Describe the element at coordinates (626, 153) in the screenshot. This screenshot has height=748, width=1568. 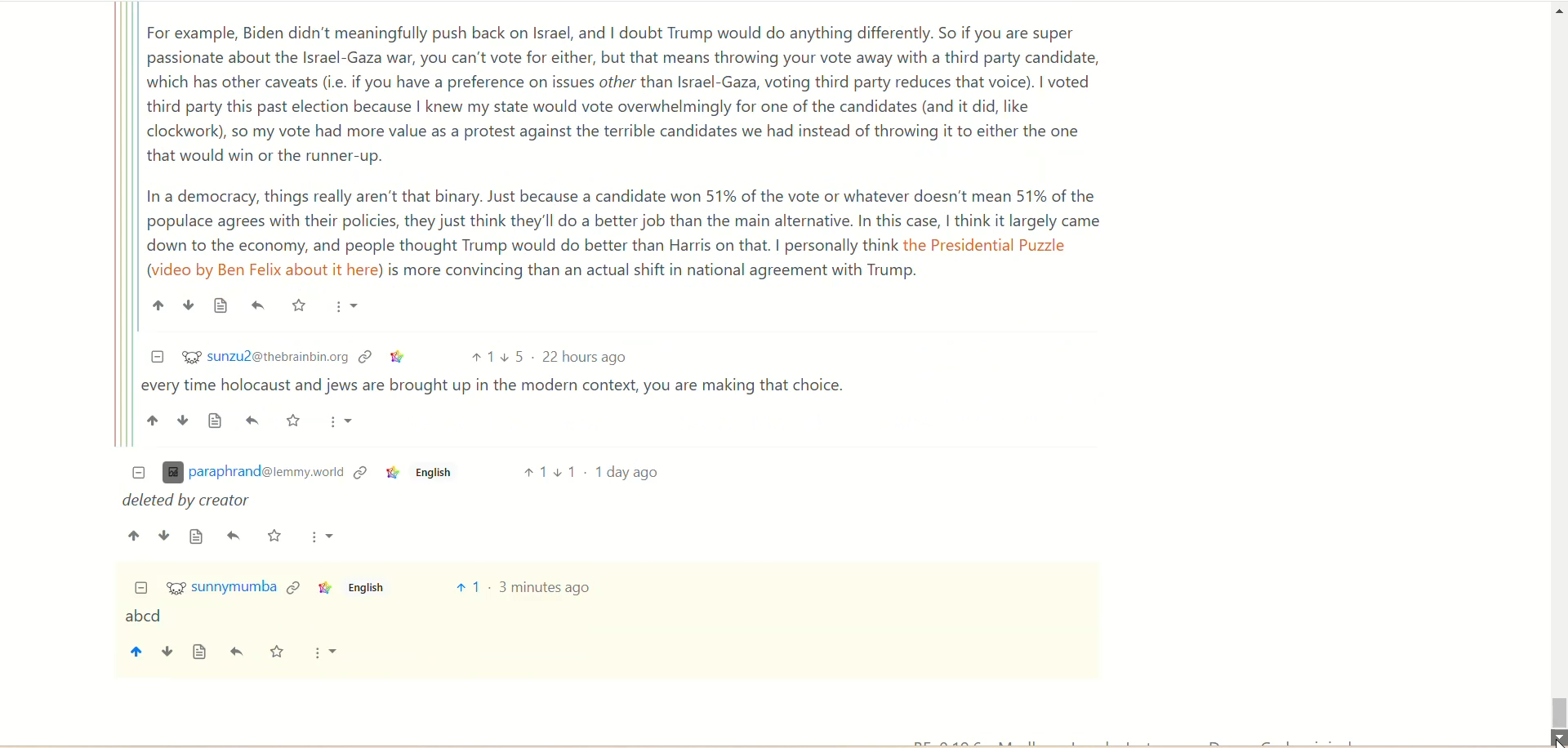
I see `For example, Biden didn't meaningfully push back on Israel, and | doubt Trump would do anything differently. So if you are super
passionate about the Israel-Gaza war, you can't vote for either, but that means throwing your vote away with a third party candidate,
which has other caveats (i.e. if you have a preference on issues other than Israel-Gaza, voting third party reduces that voice). | voted
third party this past election because | knew my state would vote overwhelmingly for one of the candidates (and it did, like
clockwork), so my vote had more value as a protest against the terrible candidates we had instead of throwing it to either the one
that would win or the runner-up.

In a democracy, things really aren't that binary. Just because a candidate won 51% of the vote or whatever doesn't mean 51% of the
populace agrees with their policies, they just think they'll do a better job than the main alternative. In this case, | think it largely came
down to the economy, and people thought Trump would do better than Harris on that. | personally think the Presidential Puzzle
(video by Ben Felix about it here) is more convincing than an actual shift in national agreement with Trump.` at that location.